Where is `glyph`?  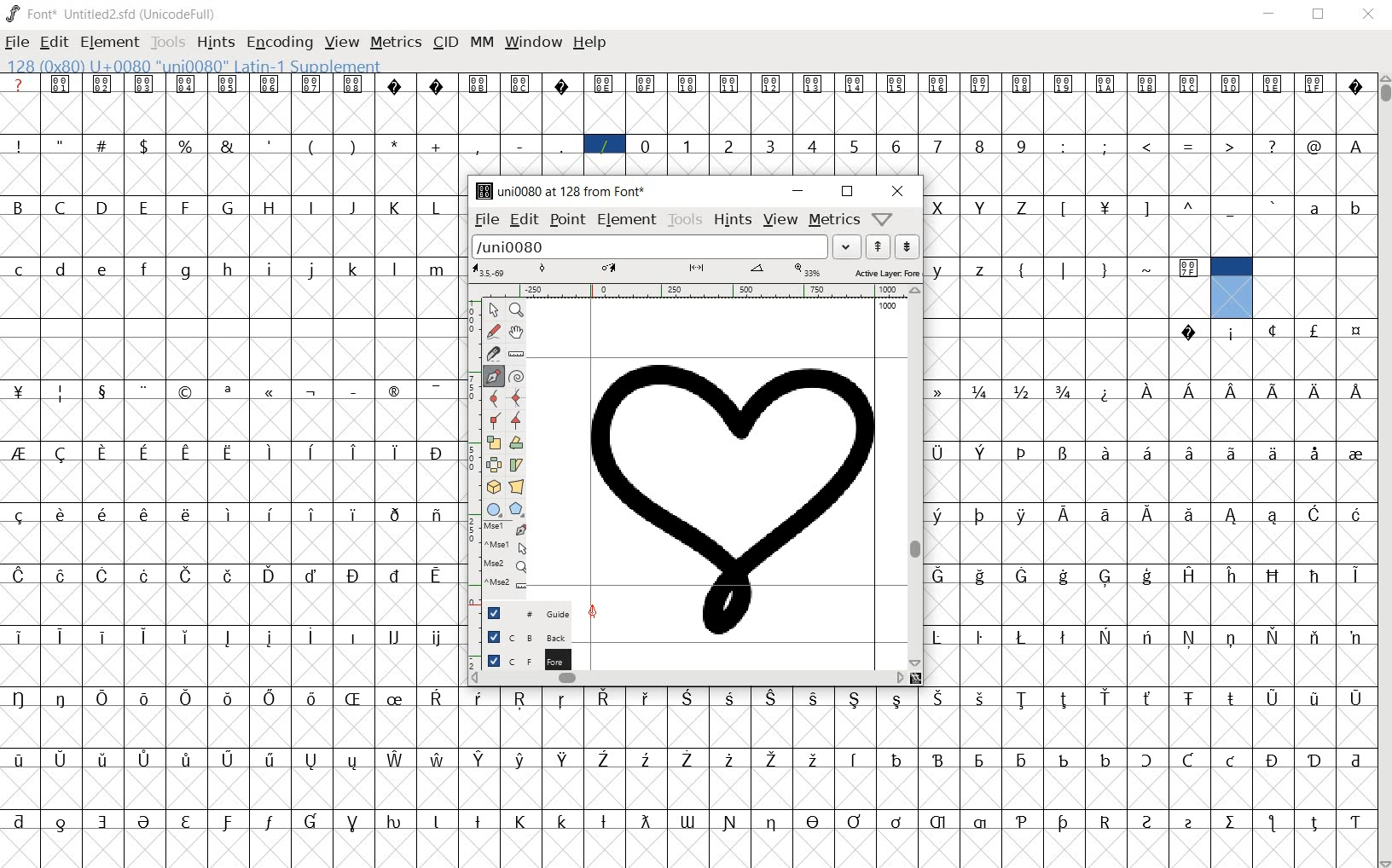 glyph is located at coordinates (1105, 697).